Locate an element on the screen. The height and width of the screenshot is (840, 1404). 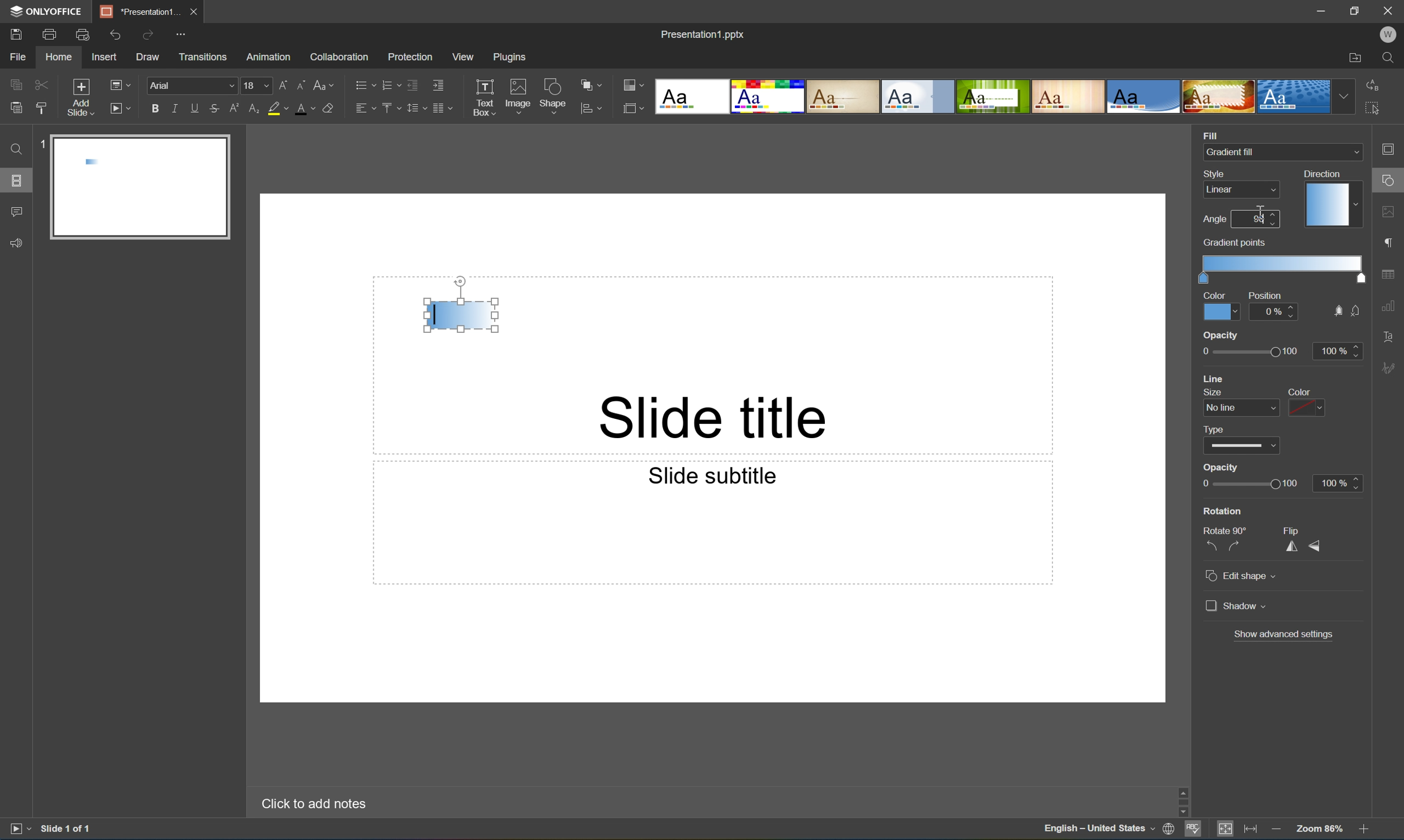
Presentation1.pptx is located at coordinates (701, 32).